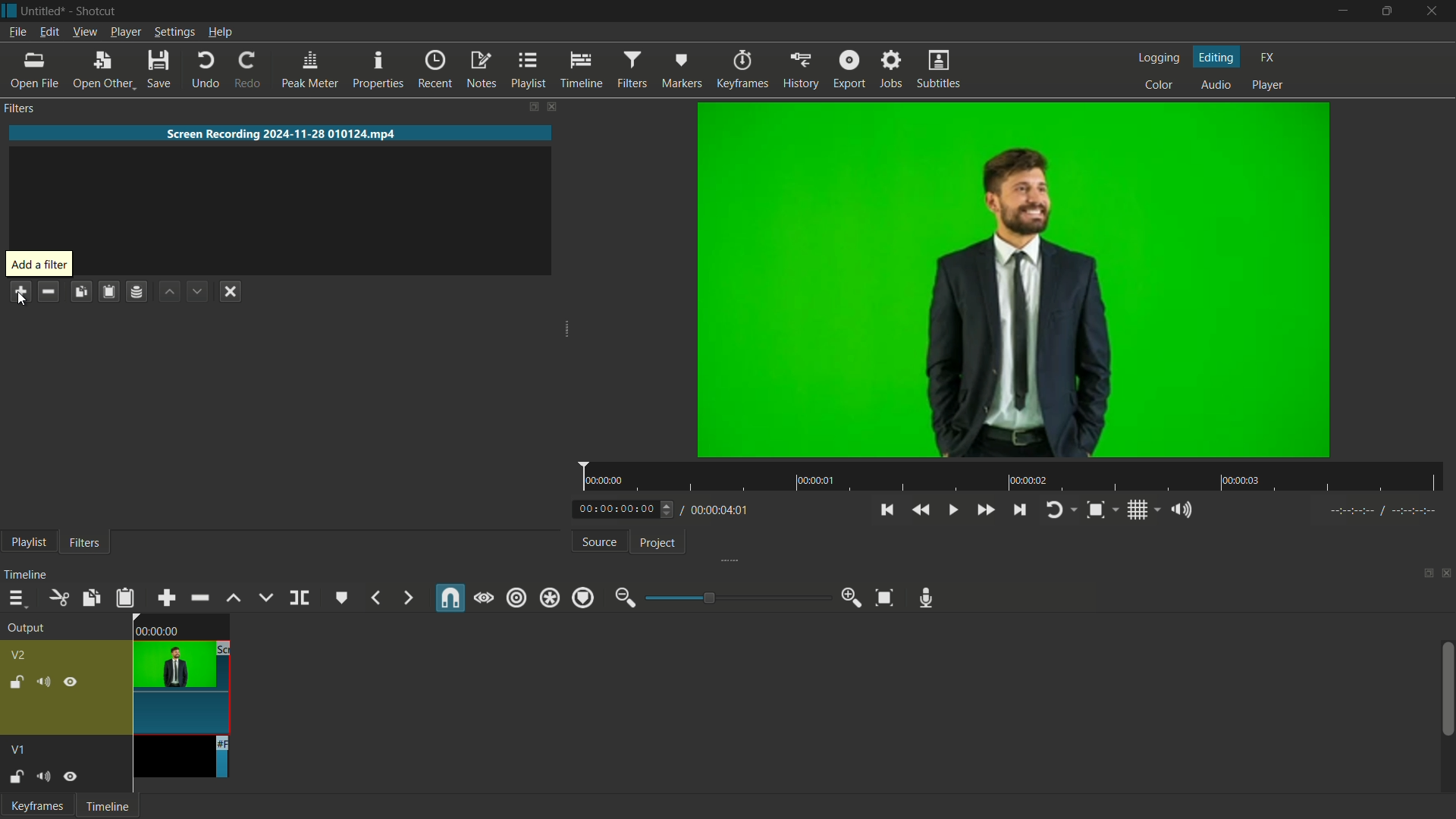 This screenshot has height=819, width=1456. What do you see at coordinates (231, 291) in the screenshot?
I see `deselect the filter` at bounding box center [231, 291].